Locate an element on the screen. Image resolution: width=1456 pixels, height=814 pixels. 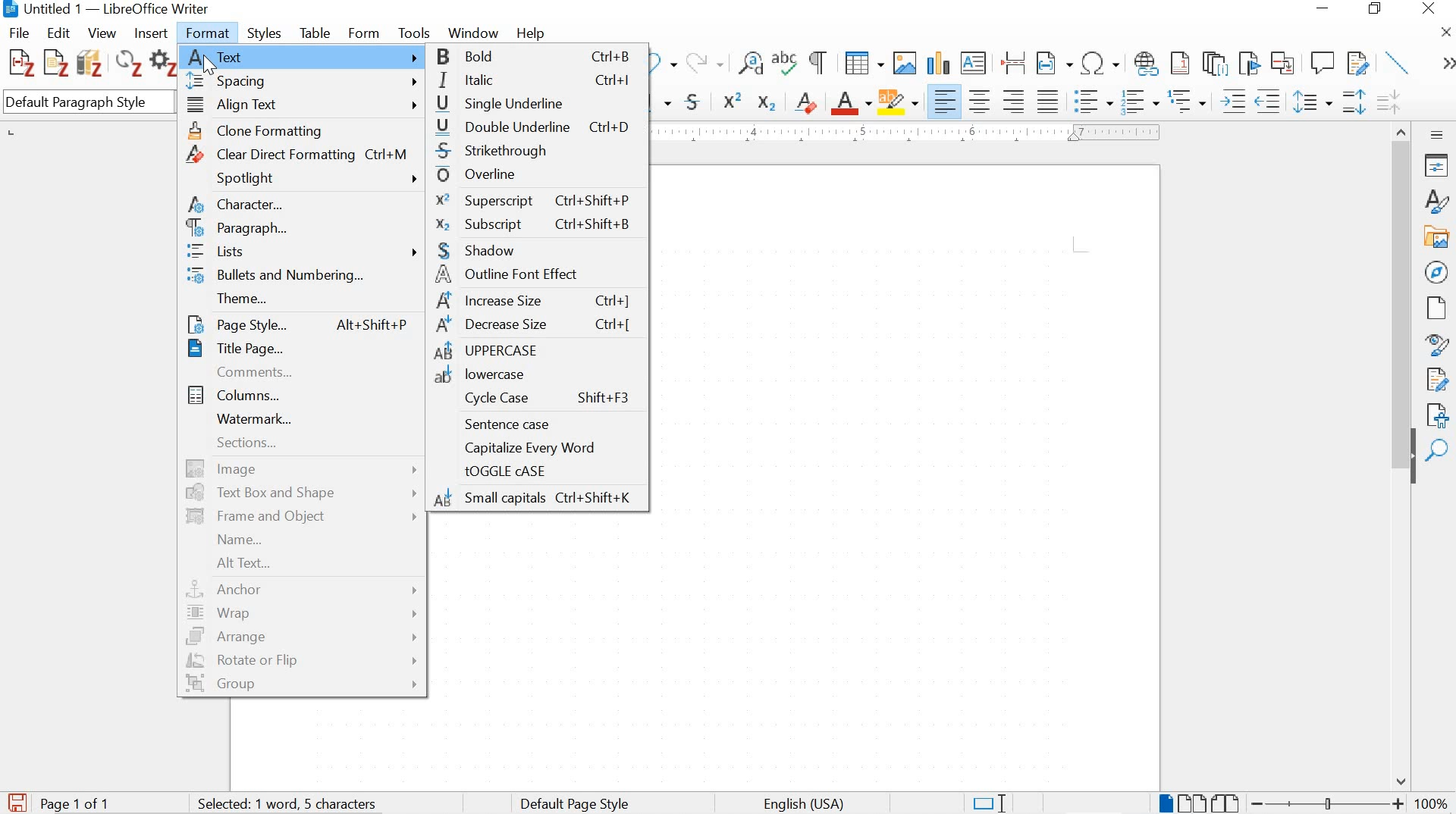
standard selection is located at coordinates (988, 802).